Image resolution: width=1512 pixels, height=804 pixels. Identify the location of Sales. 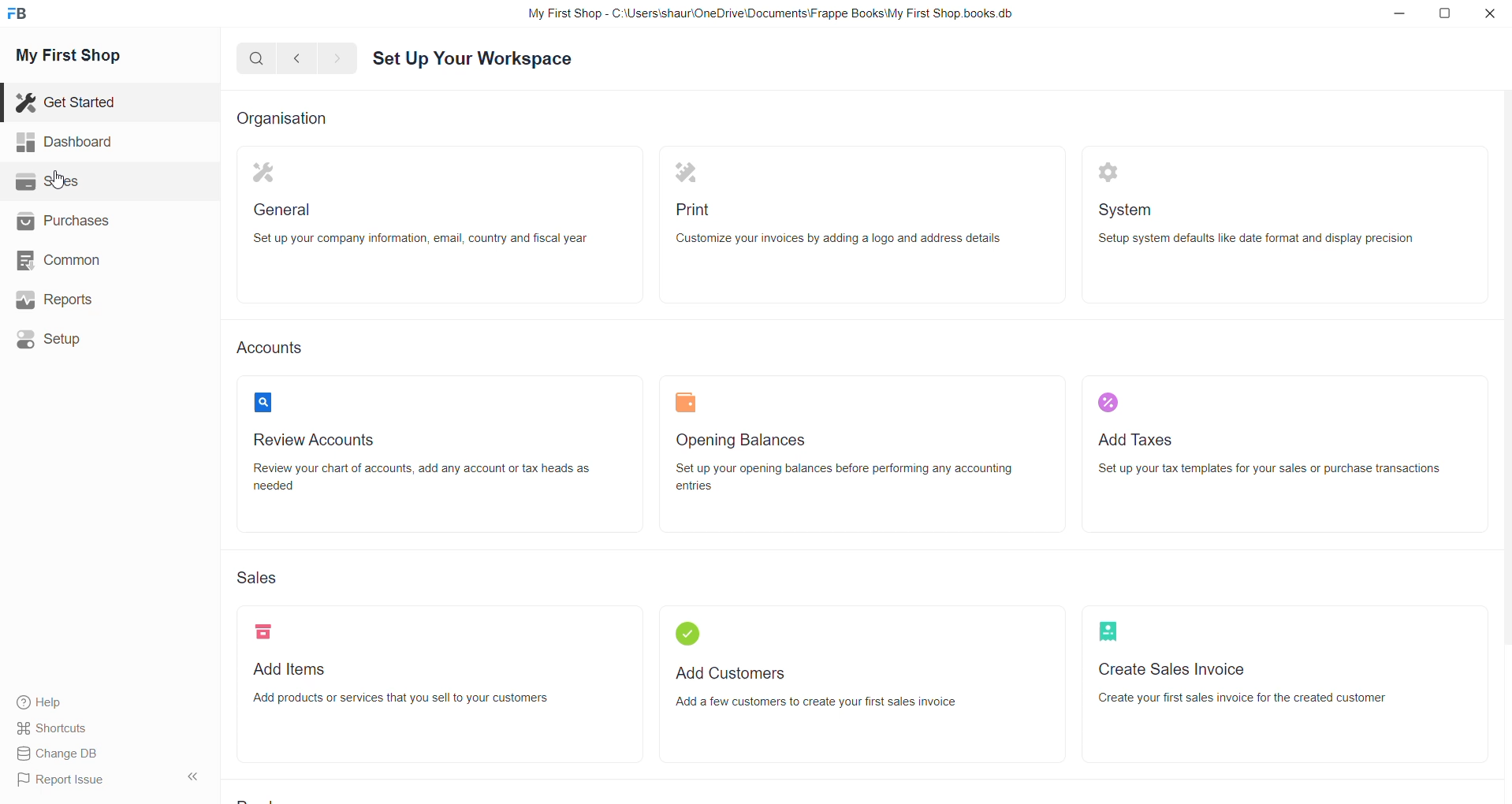
(66, 183).